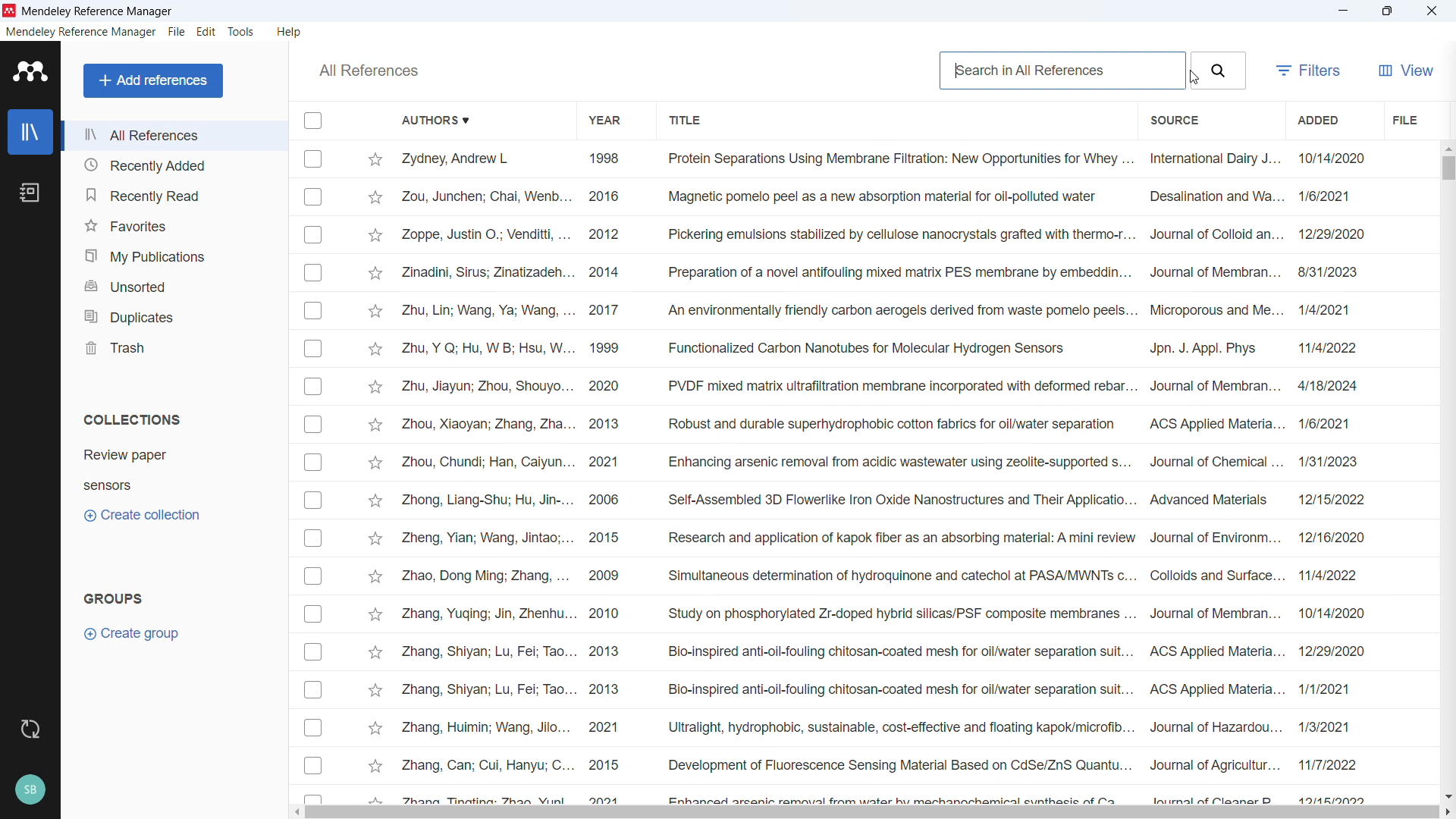  I want to click on Sort by authors , so click(432, 119).